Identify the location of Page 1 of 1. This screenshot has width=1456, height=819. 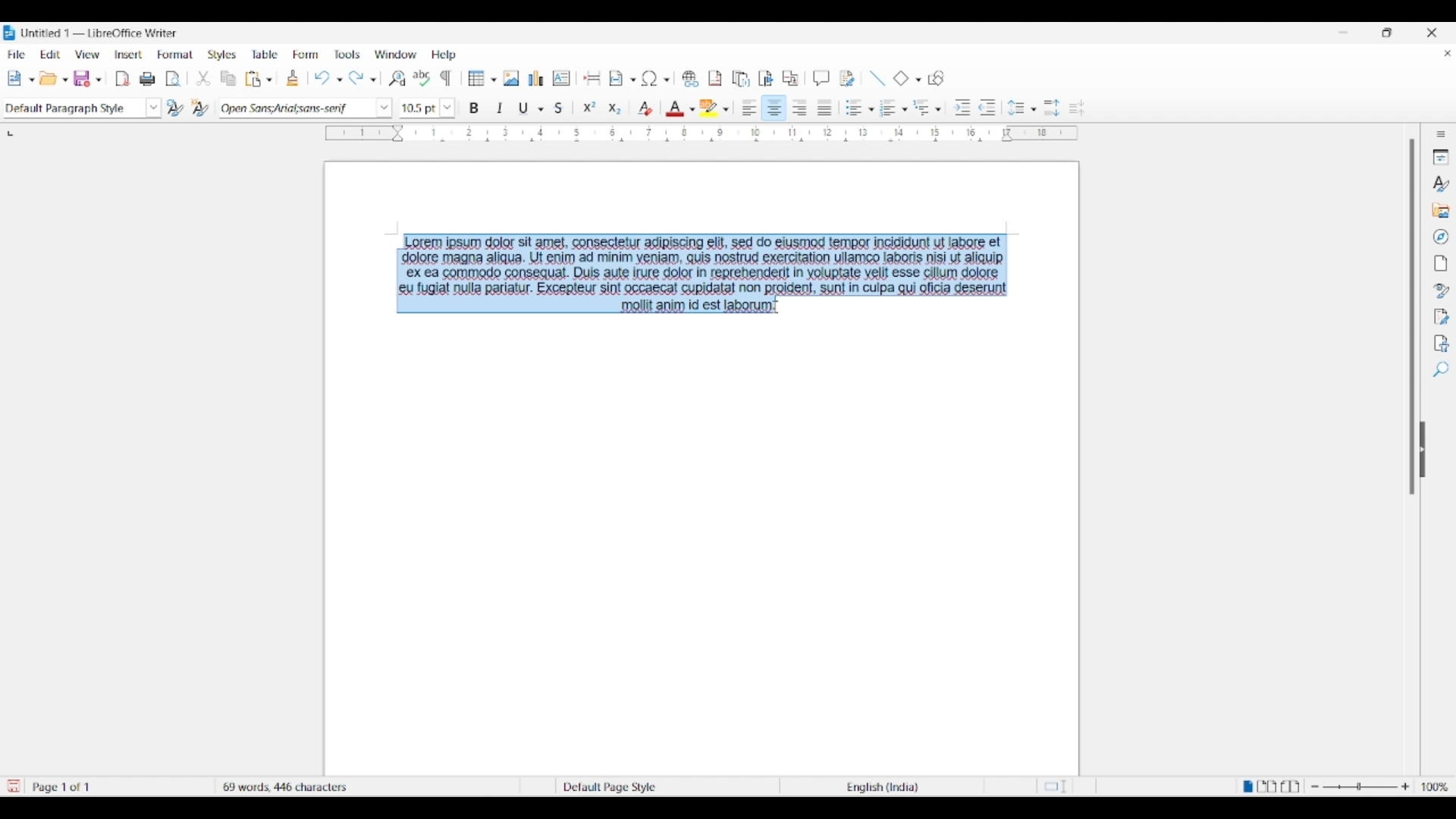
(64, 787).